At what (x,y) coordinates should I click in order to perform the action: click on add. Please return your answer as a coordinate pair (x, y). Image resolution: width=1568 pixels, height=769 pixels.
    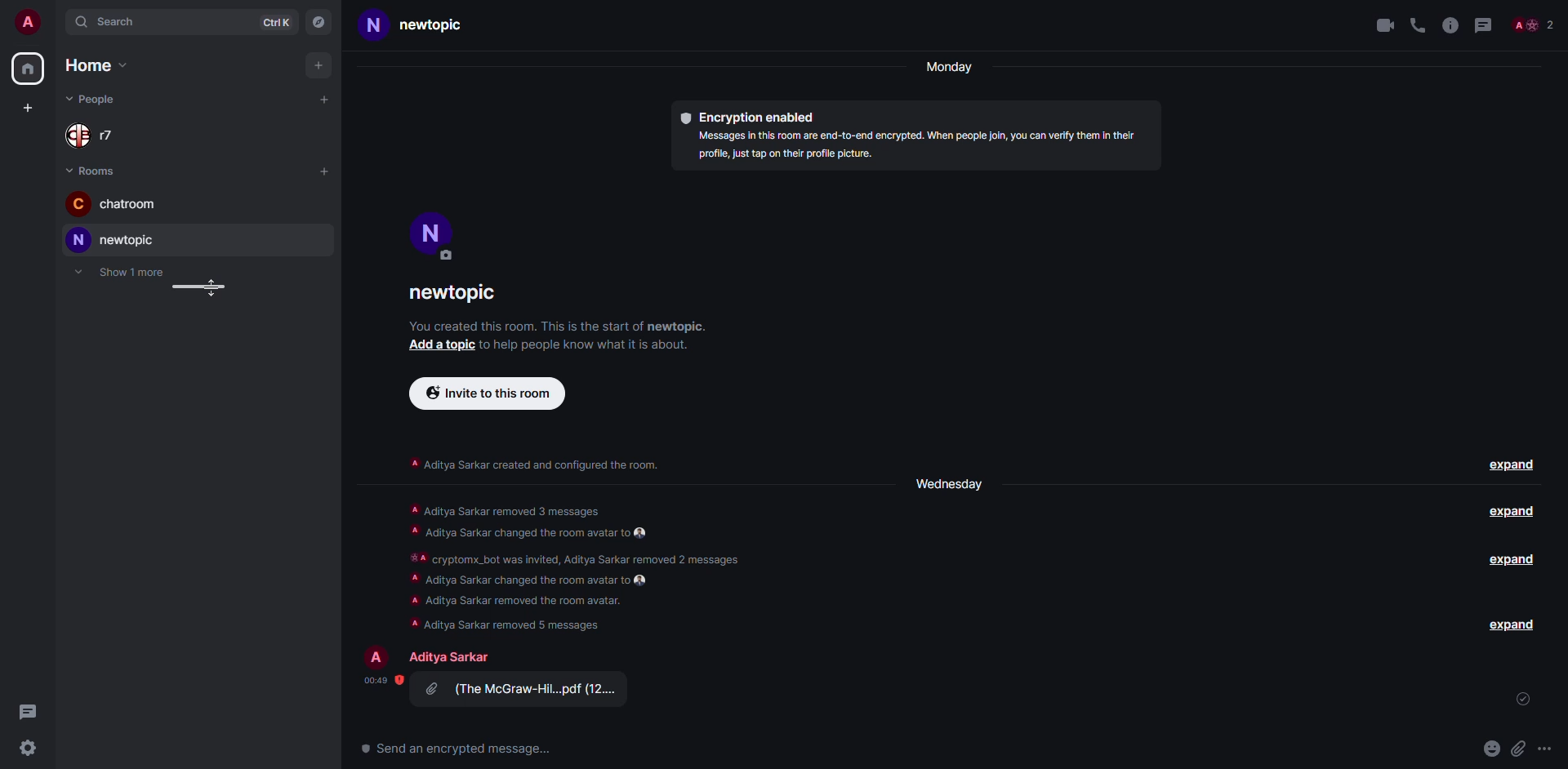
    Looking at the image, I should click on (443, 347).